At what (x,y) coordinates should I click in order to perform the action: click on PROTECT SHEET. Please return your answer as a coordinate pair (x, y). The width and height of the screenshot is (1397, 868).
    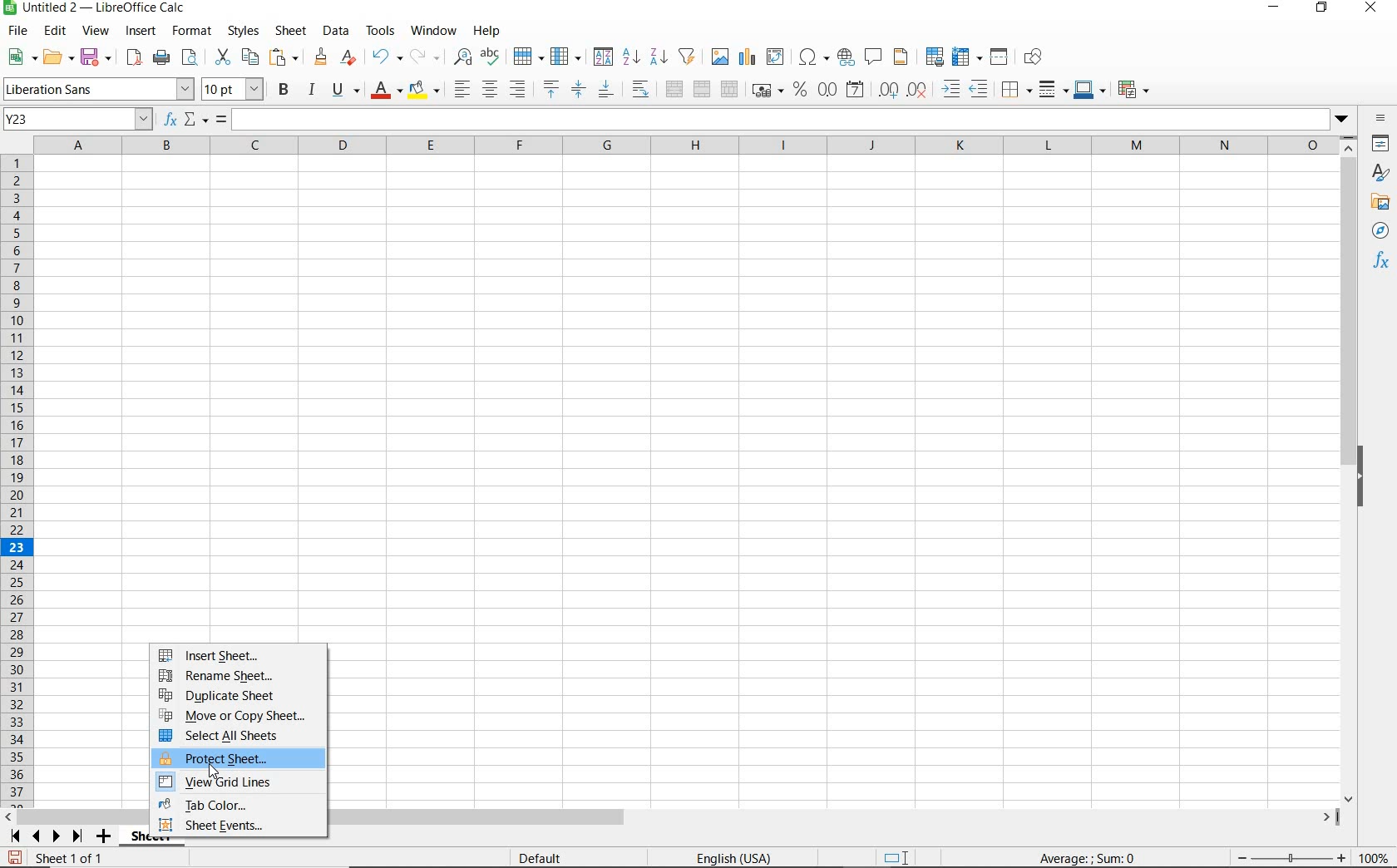
    Looking at the image, I should click on (224, 760).